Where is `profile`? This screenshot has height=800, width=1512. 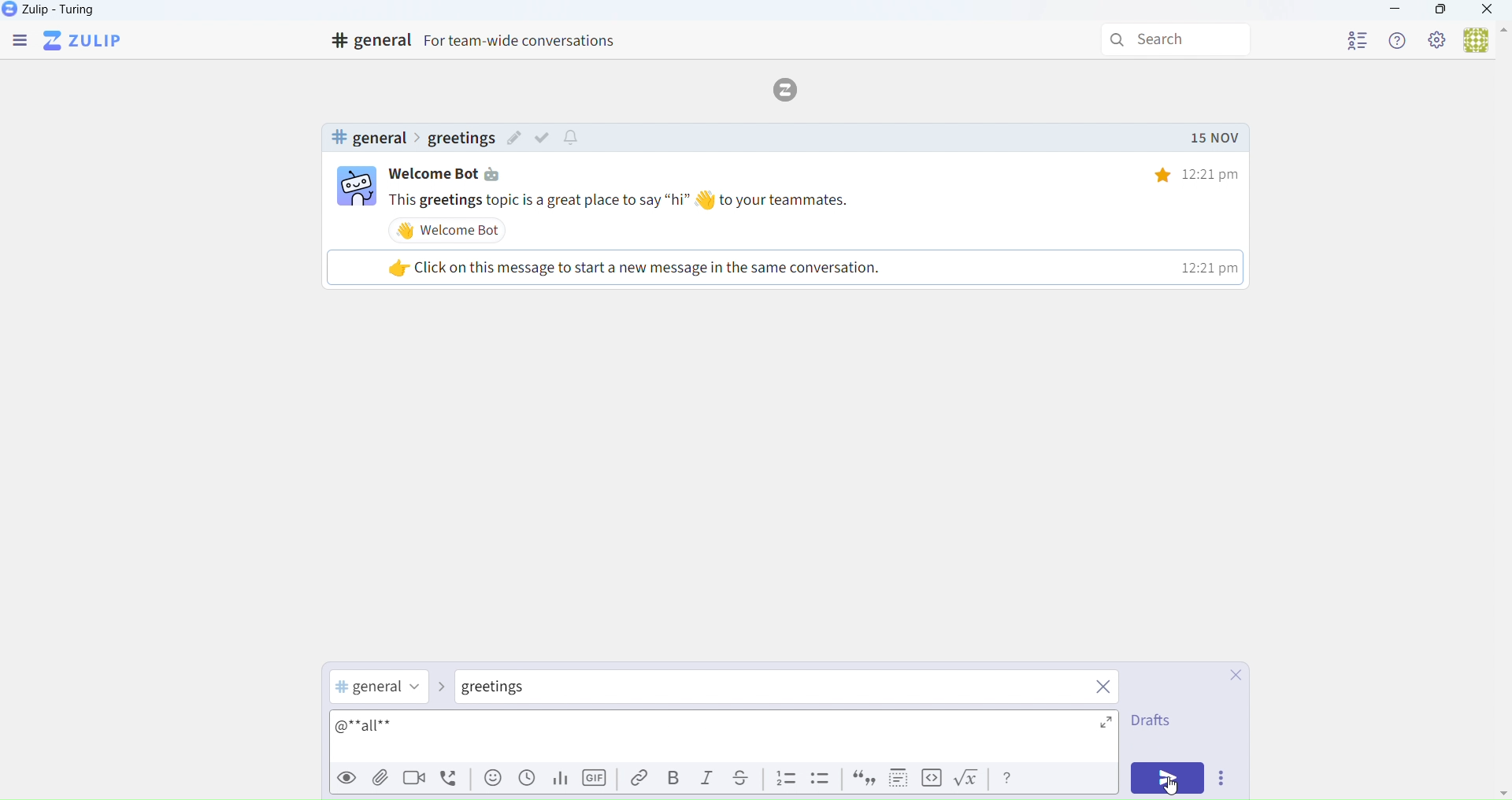
profile is located at coordinates (1358, 38).